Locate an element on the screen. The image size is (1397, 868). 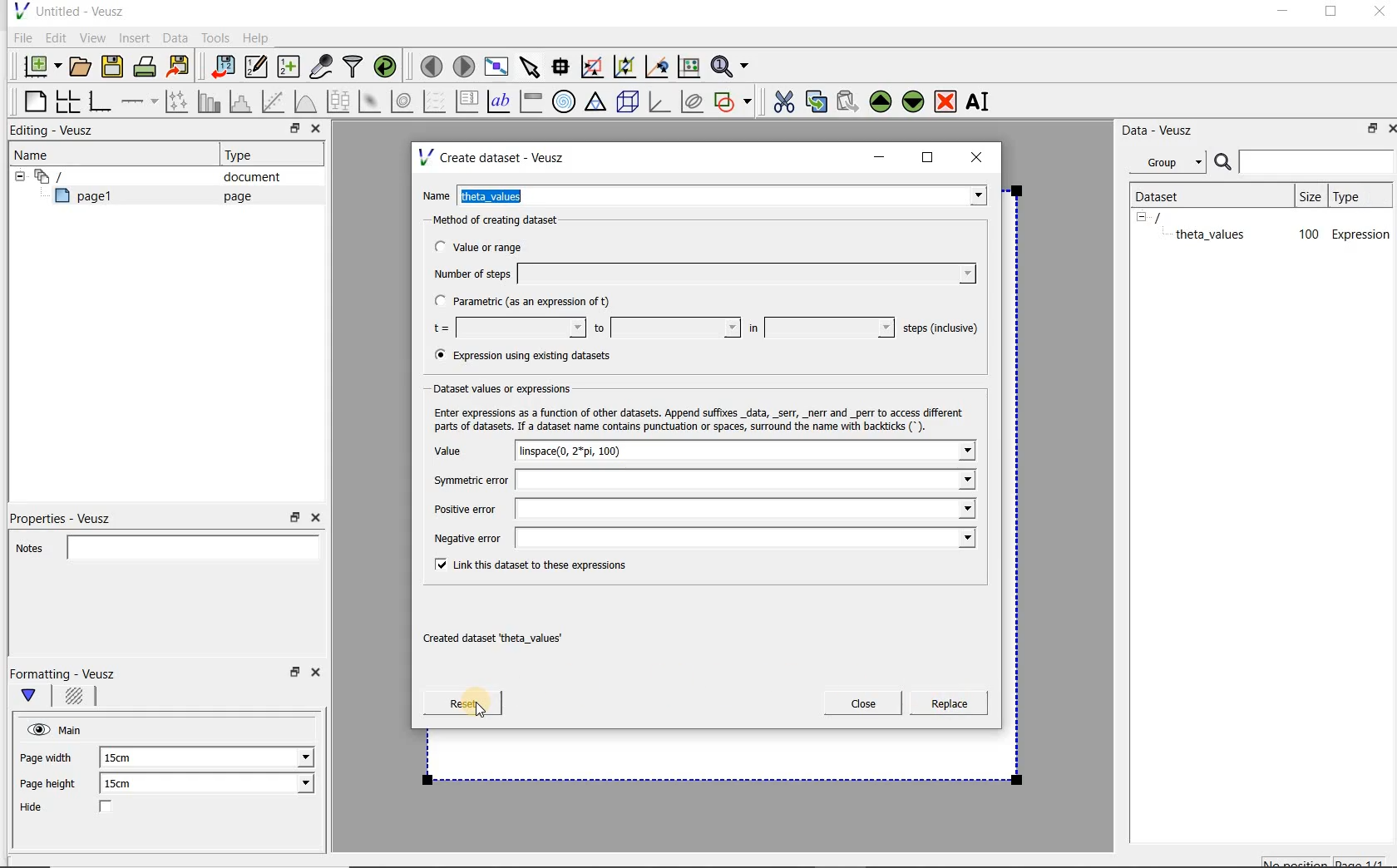
visible (click to hide, set Hide to true) is located at coordinates (36, 729).